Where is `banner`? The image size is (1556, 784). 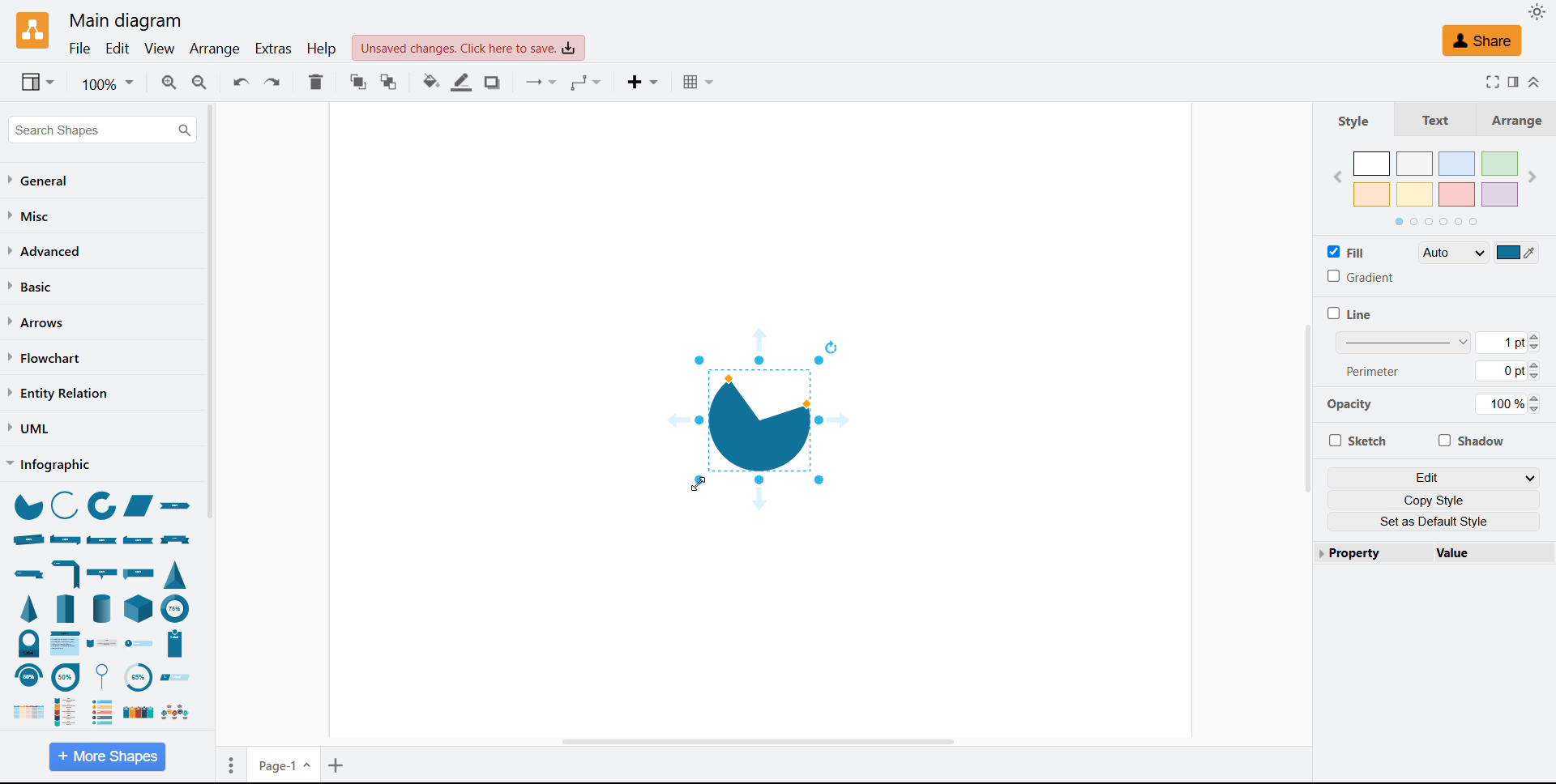
banner is located at coordinates (176, 540).